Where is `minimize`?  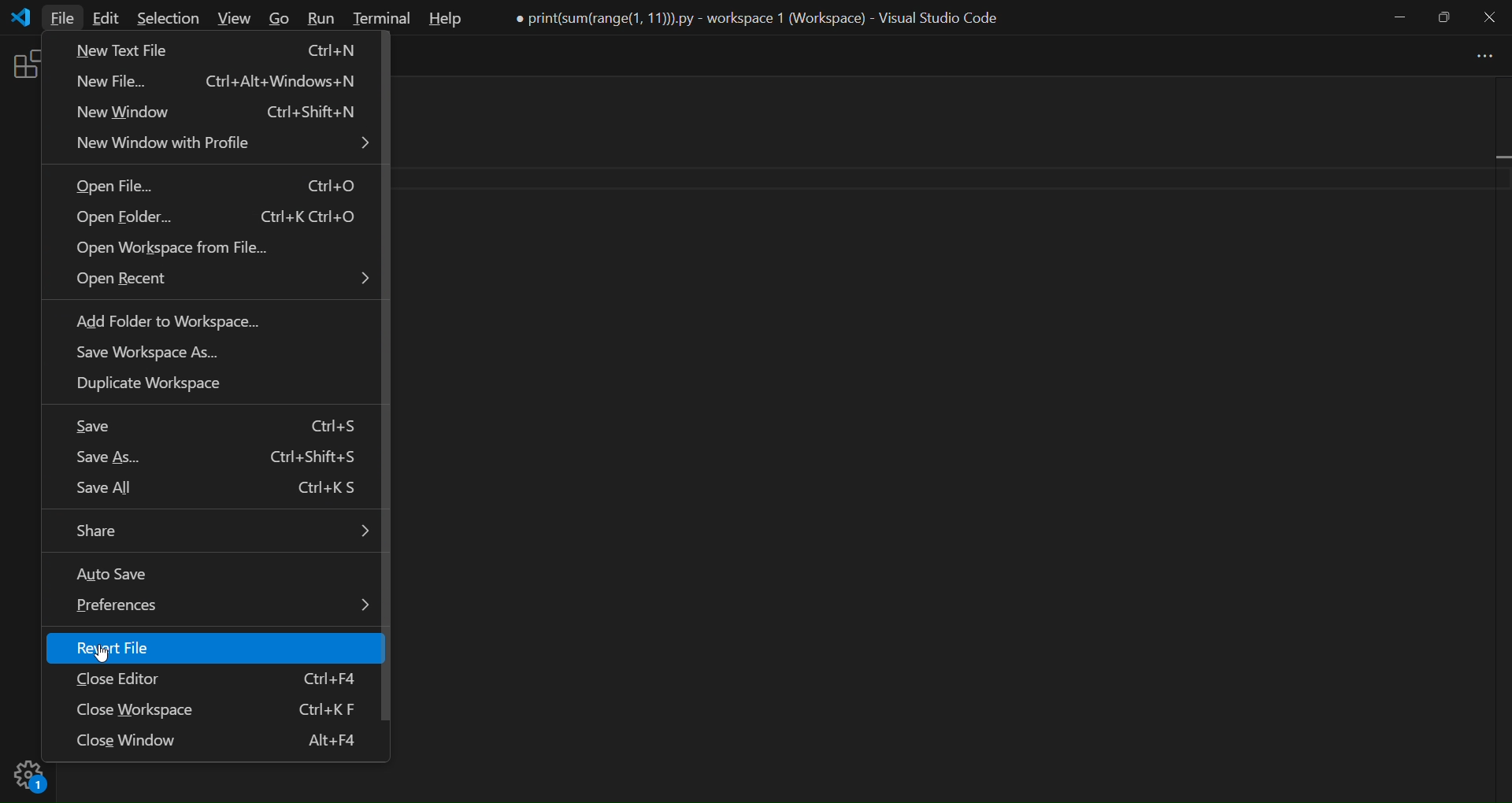 minimize is located at coordinates (1399, 18).